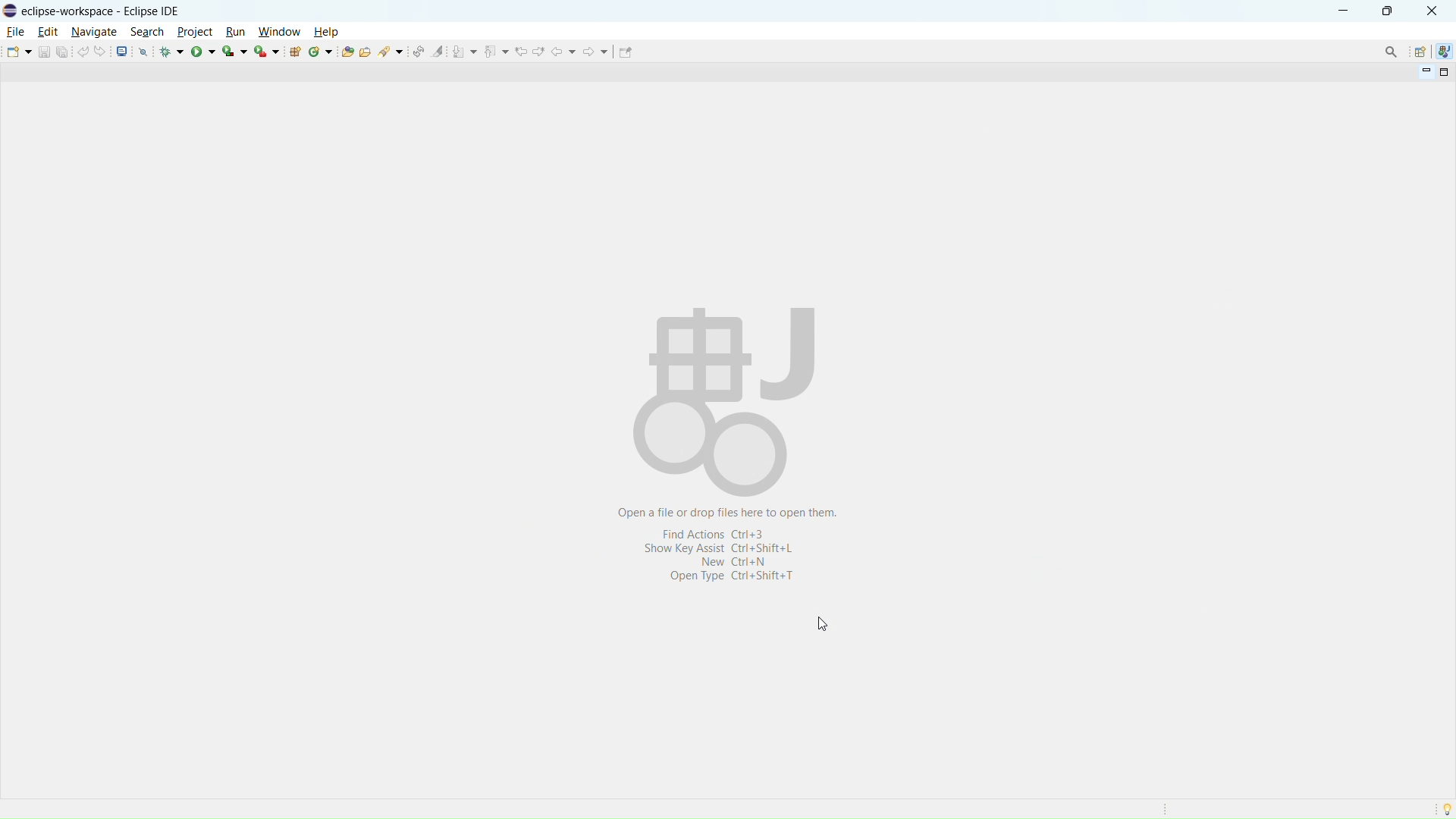 The height and width of the screenshot is (819, 1456). I want to click on toggle ant editor auto reconcile, so click(418, 51).